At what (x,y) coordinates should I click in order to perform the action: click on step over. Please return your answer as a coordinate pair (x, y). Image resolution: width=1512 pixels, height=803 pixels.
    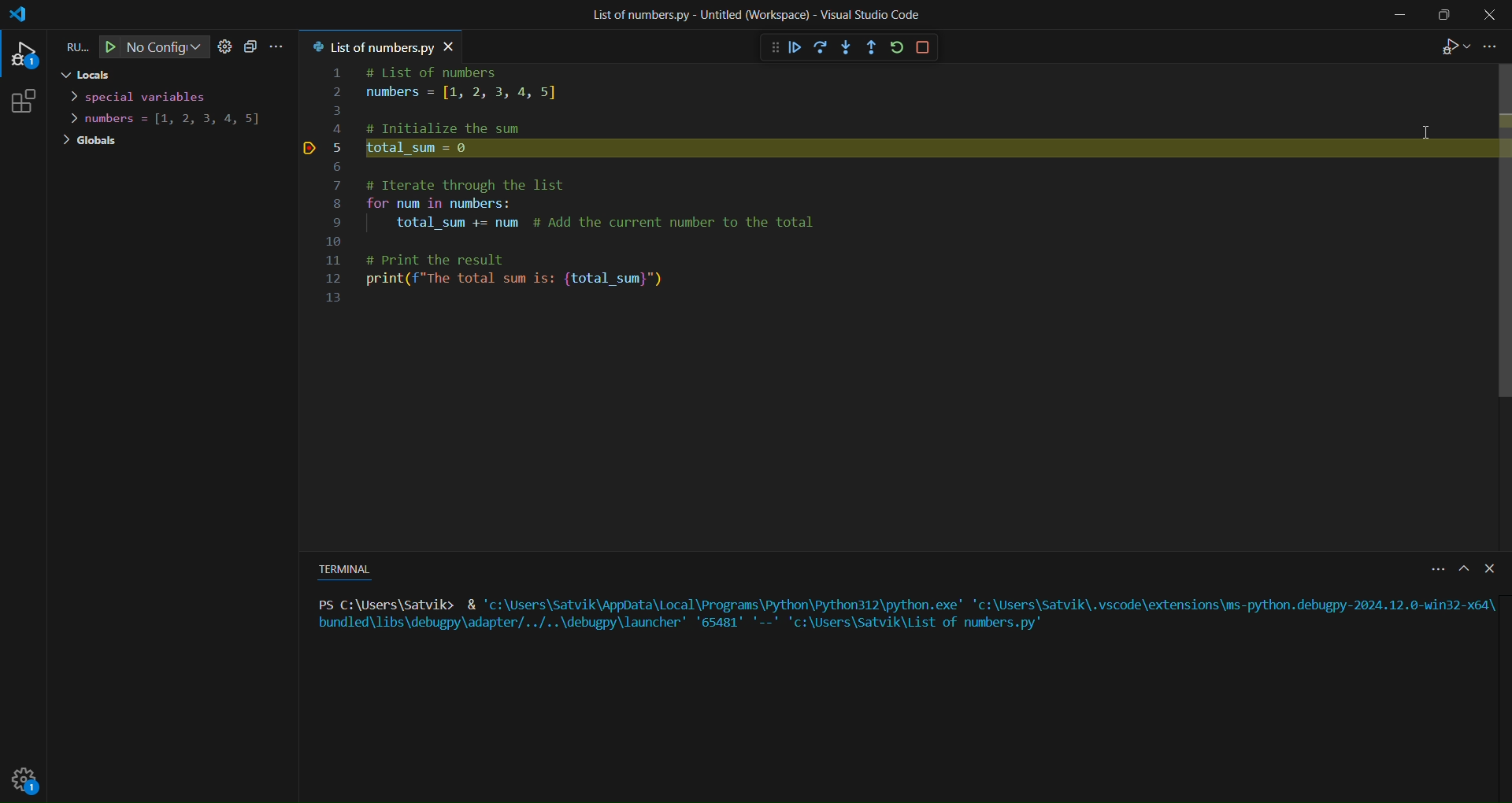
    Looking at the image, I should click on (819, 47).